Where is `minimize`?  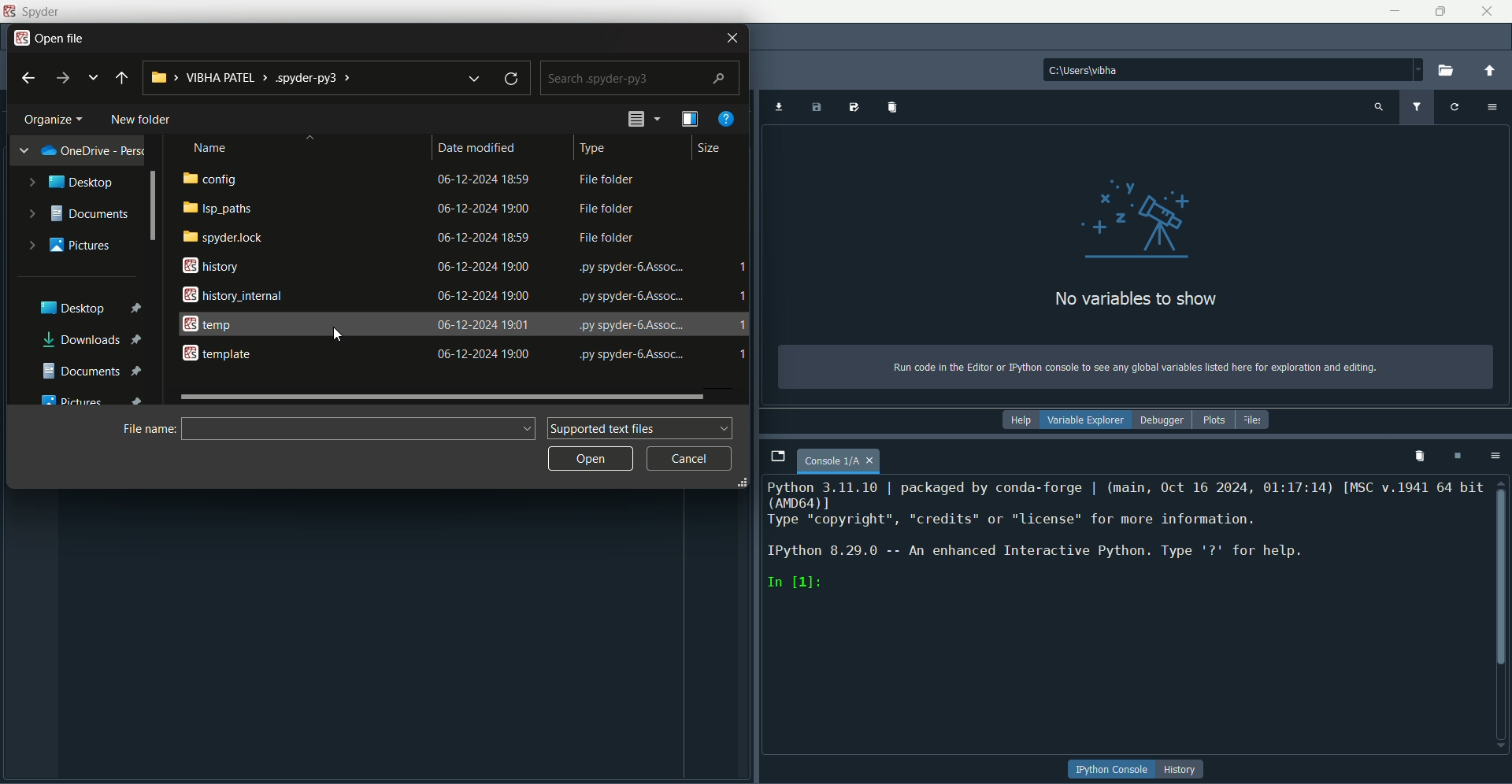
minimize is located at coordinates (1392, 10).